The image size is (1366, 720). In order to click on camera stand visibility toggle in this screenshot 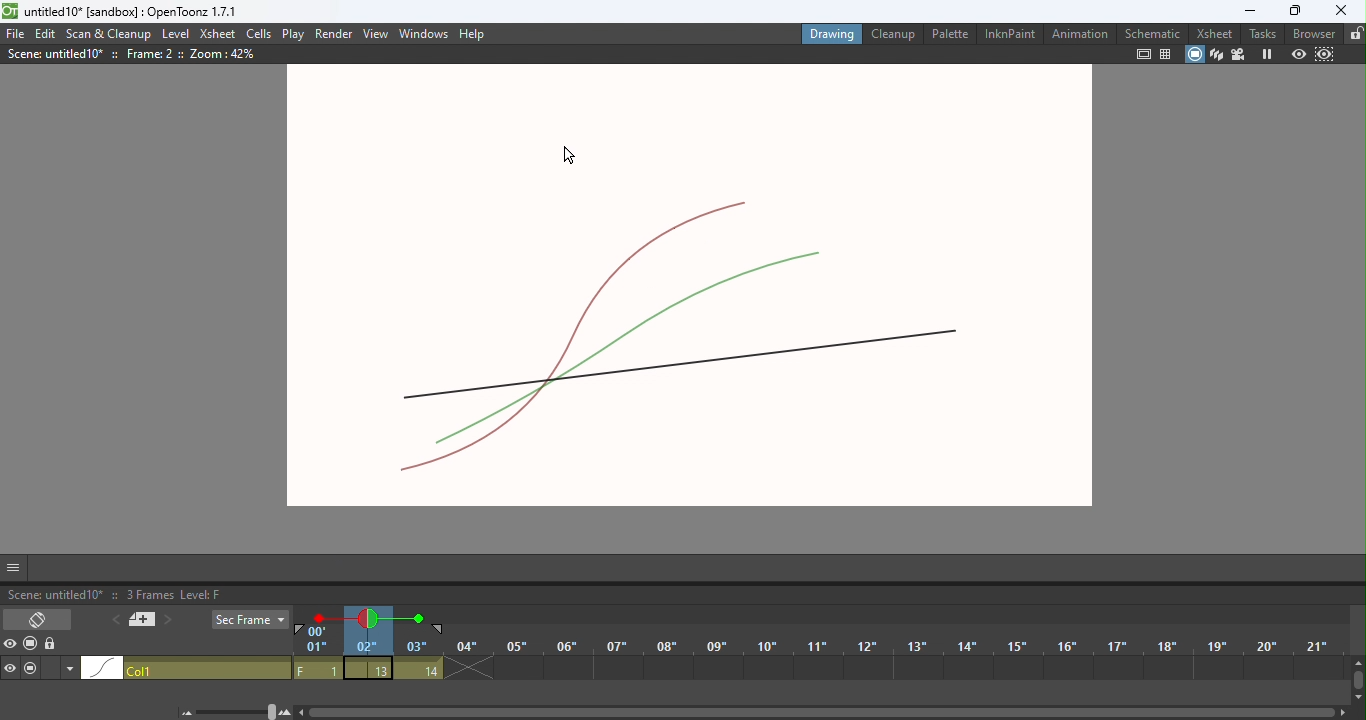, I will do `click(32, 669)`.